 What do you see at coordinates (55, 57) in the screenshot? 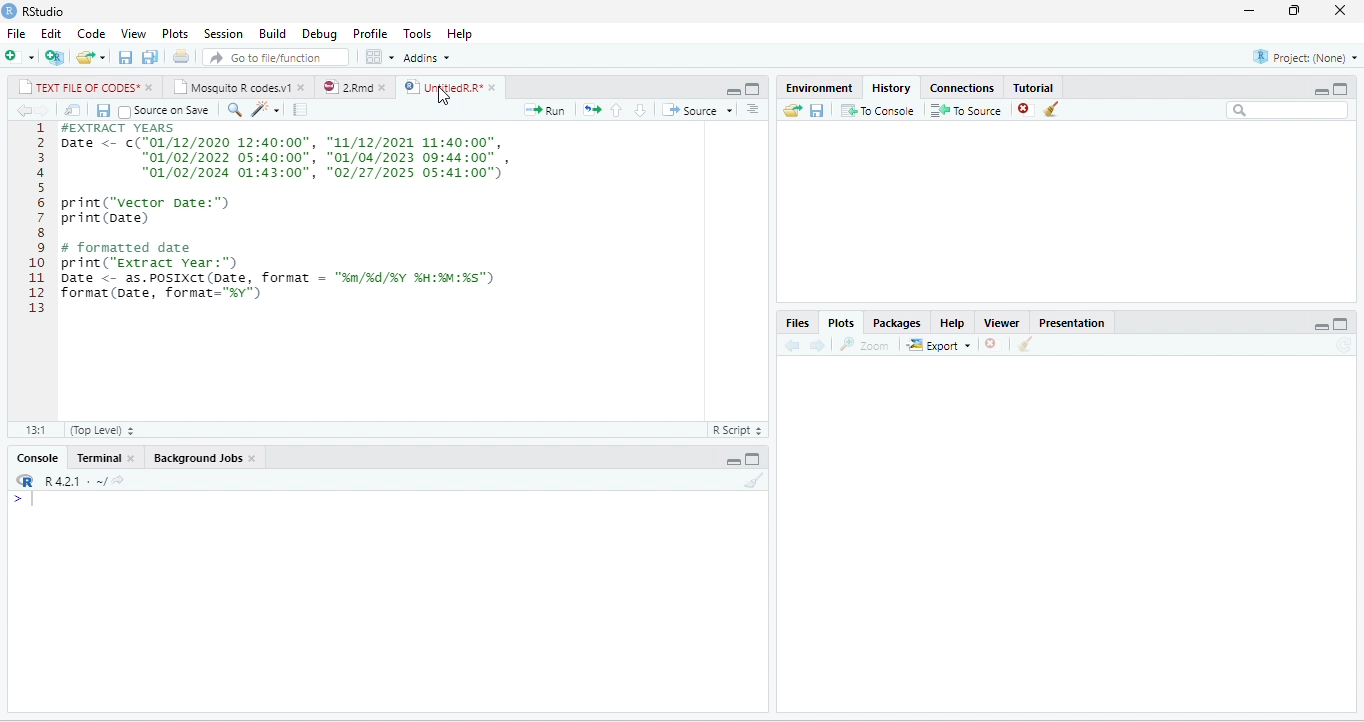
I see `new project` at bounding box center [55, 57].